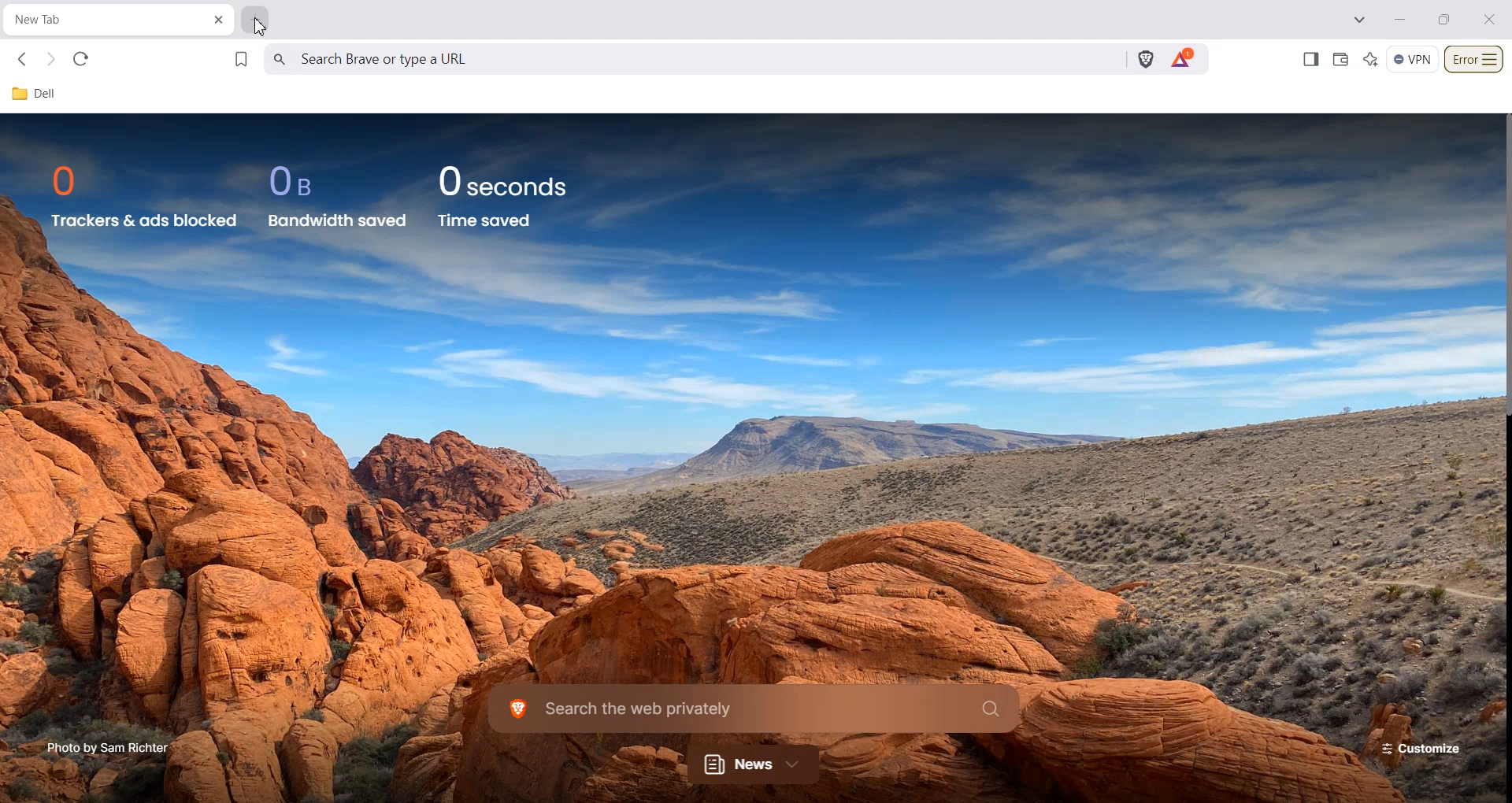  What do you see at coordinates (242, 59) in the screenshot?
I see `Bookmark` at bounding box center [242, 59].